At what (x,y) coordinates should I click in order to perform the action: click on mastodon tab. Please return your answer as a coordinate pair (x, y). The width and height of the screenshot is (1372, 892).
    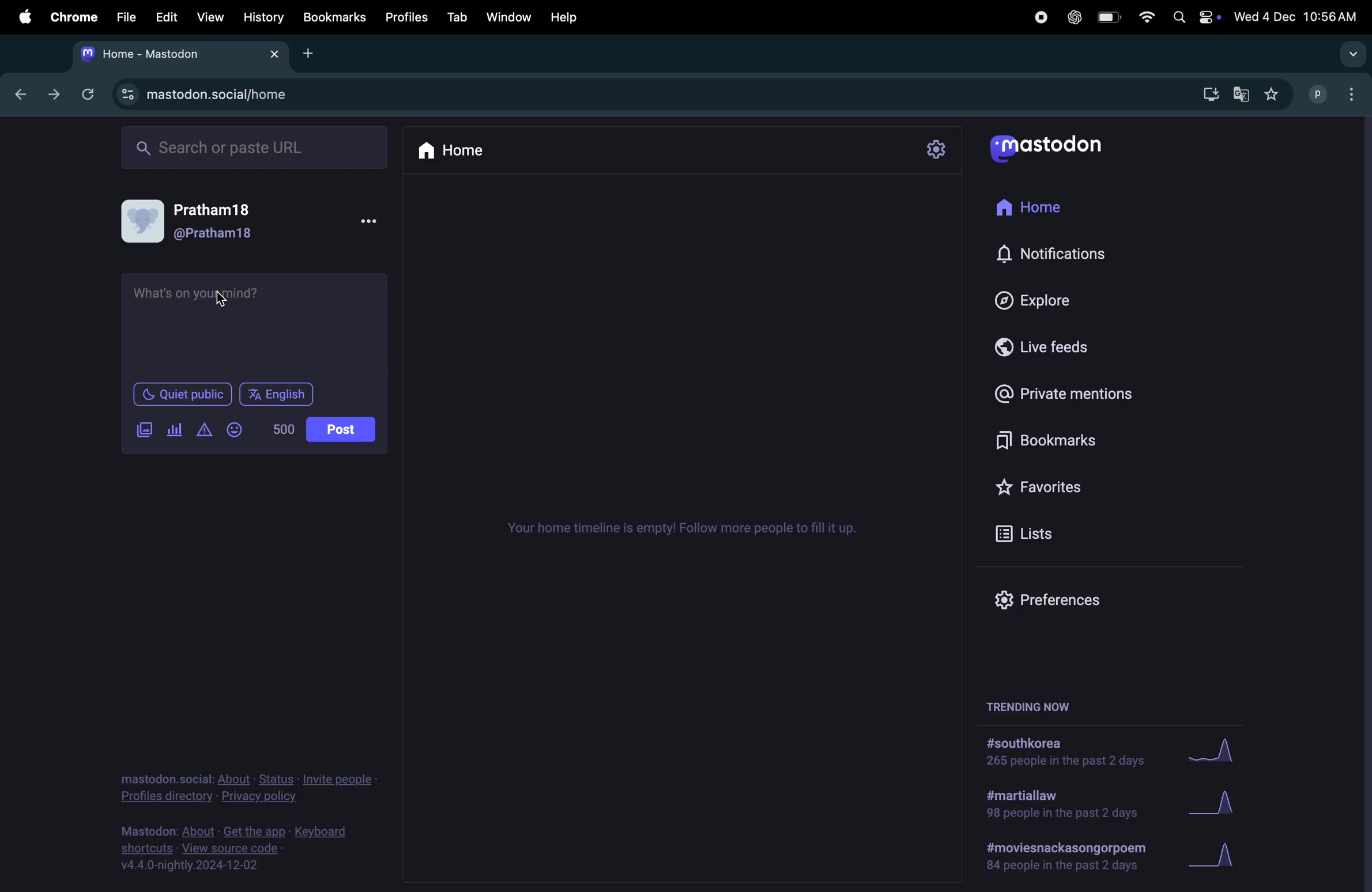
    Looking at the image, I should click on (181, 52).